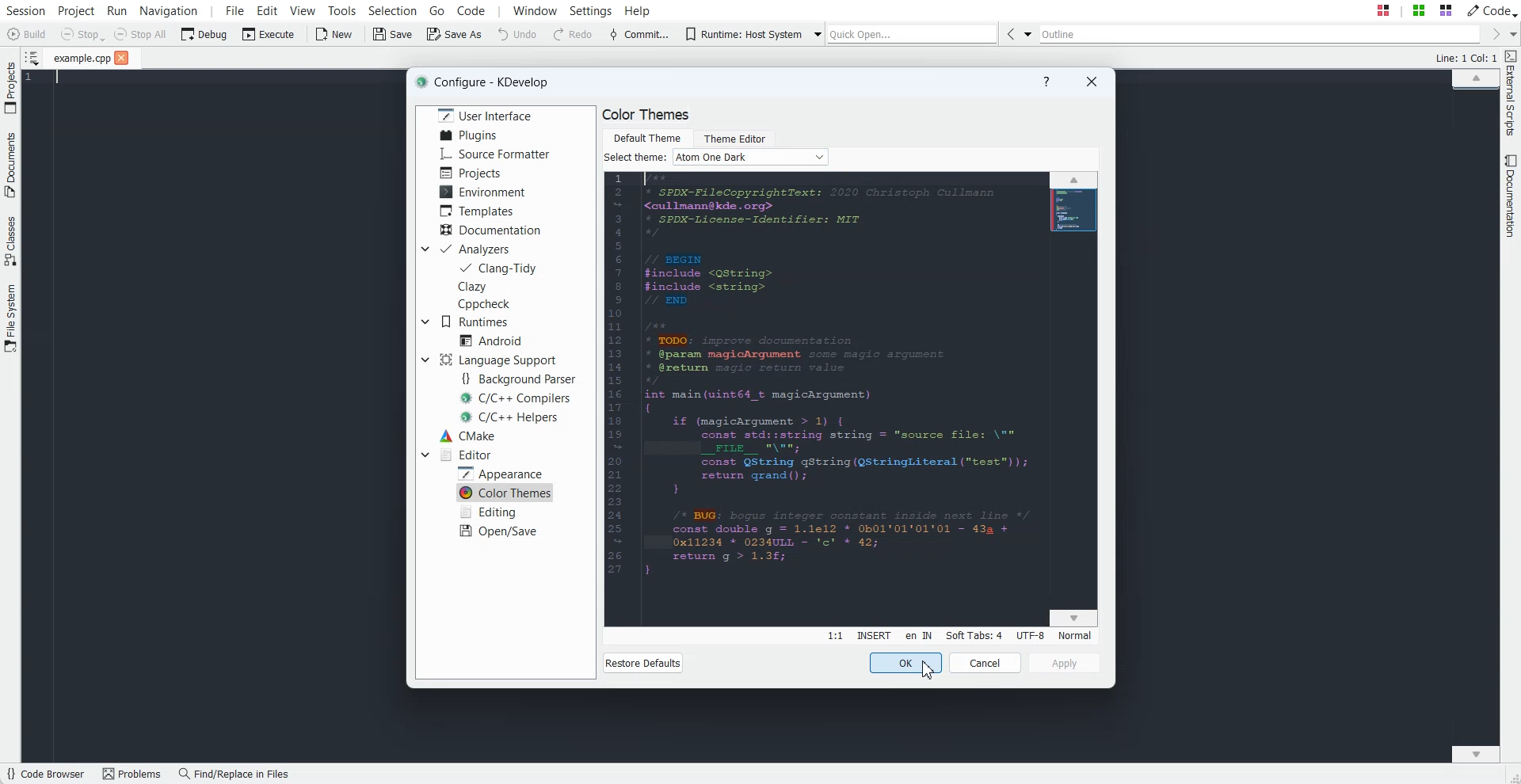 The width and height of the screenshot is (1521, 784). I want to click on Projects, so click(471, 173).